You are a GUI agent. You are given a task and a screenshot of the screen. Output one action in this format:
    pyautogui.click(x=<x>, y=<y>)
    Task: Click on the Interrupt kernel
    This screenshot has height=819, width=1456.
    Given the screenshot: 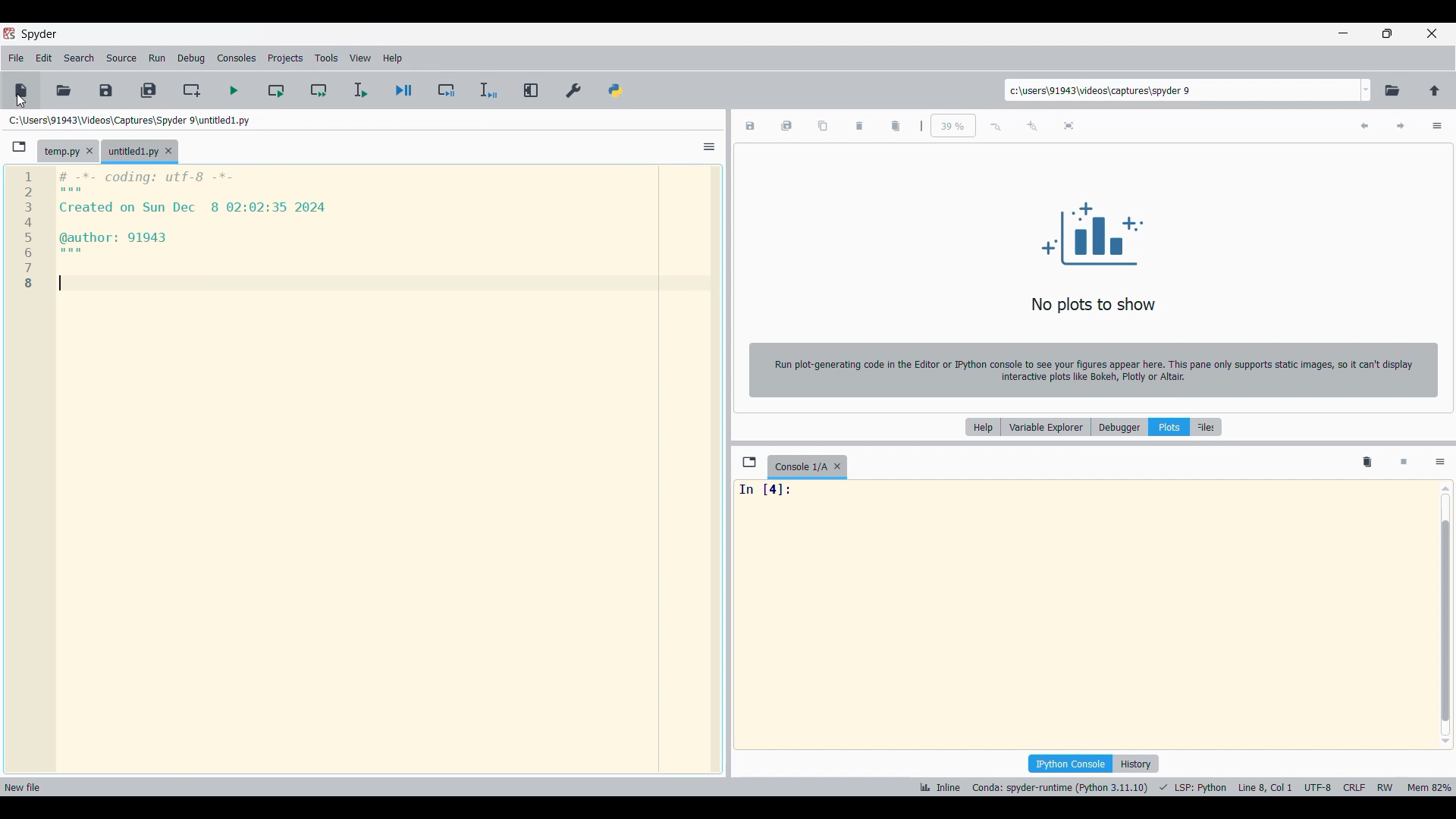 What is the action you would take?
    pyautogui.click(x=1404, y=463)
    